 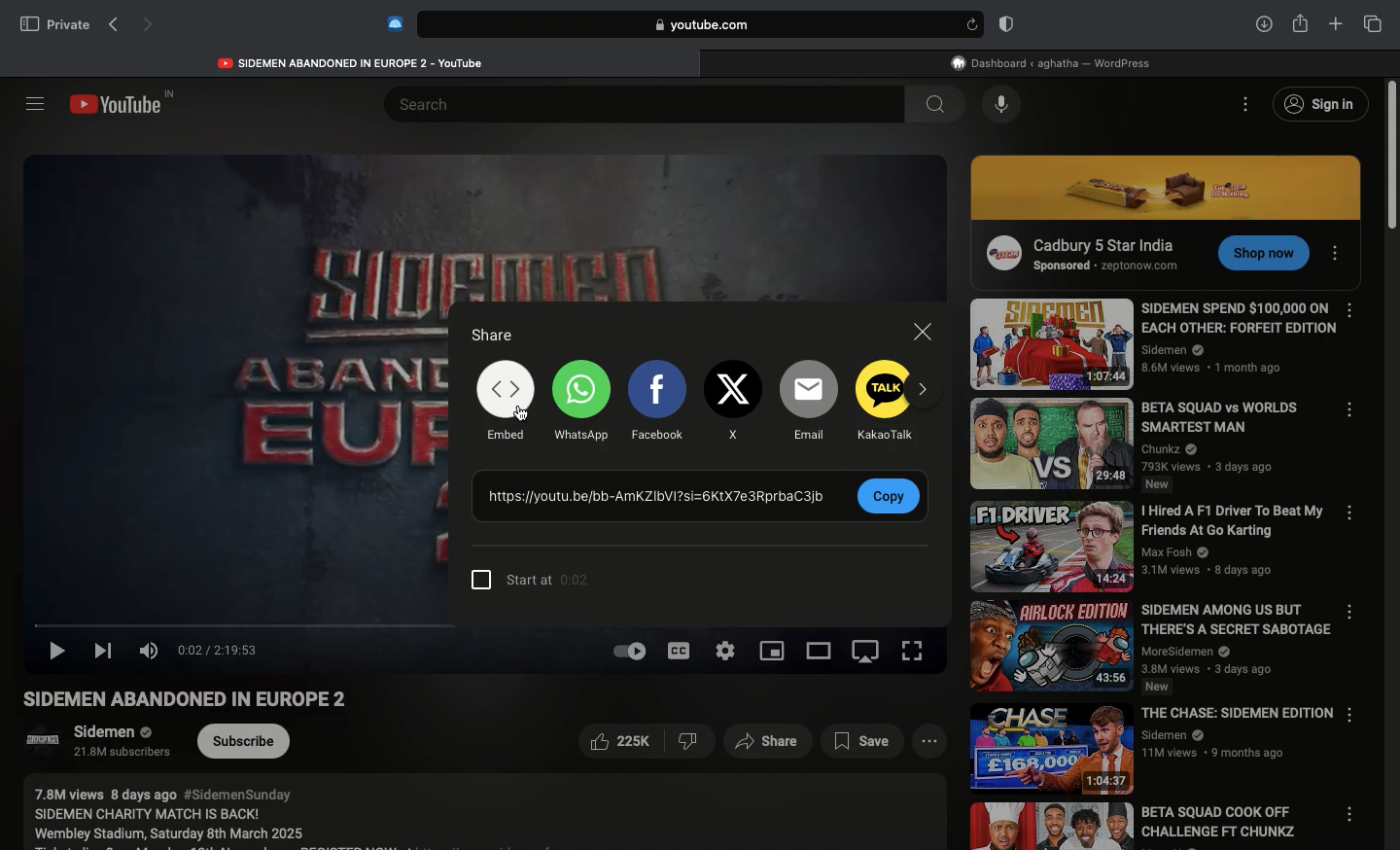 What do you see at coordinates (503, 400) in the screenshot?
I see `Embed` at bounding box center [503, 400].